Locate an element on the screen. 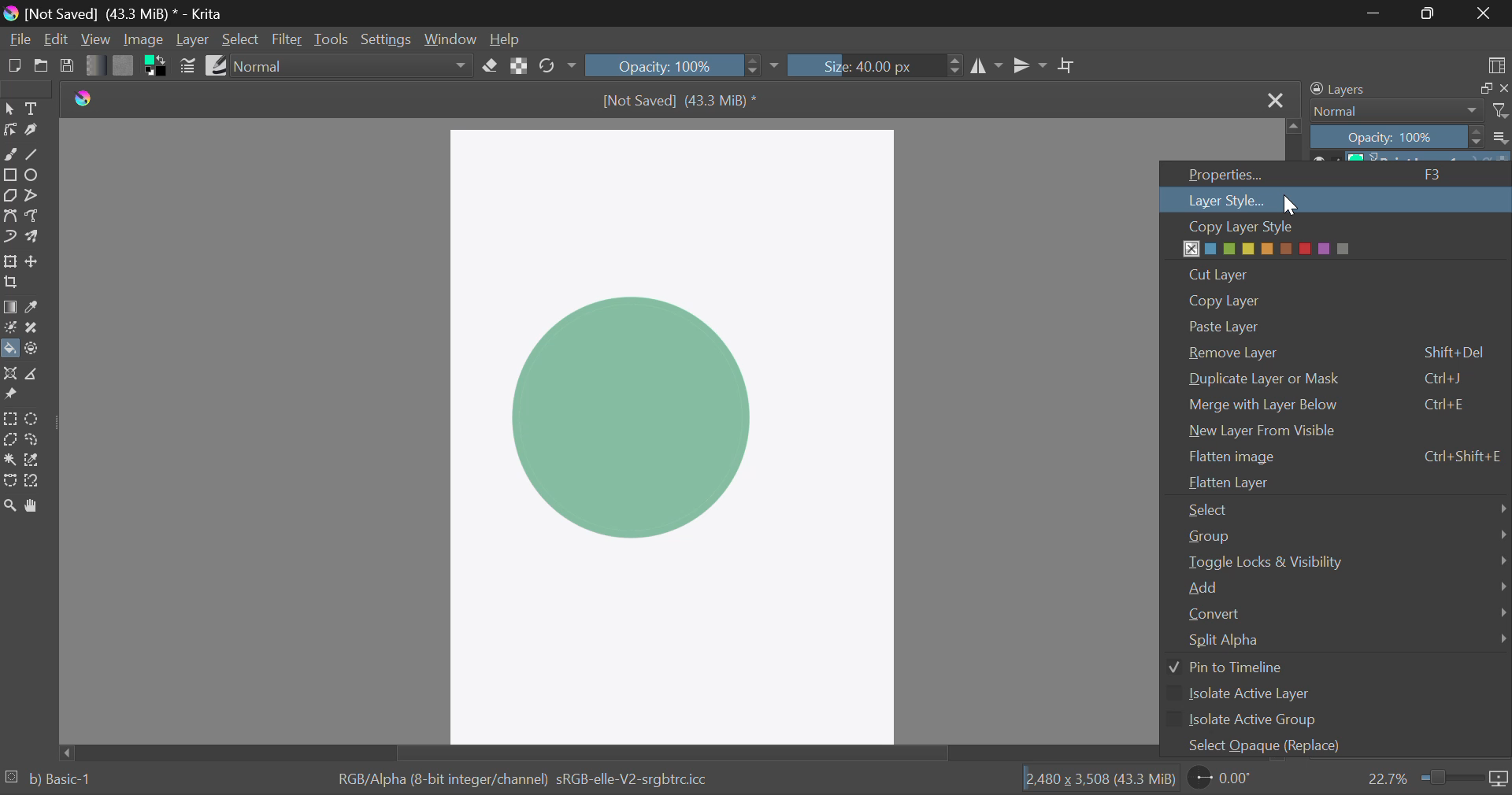 The image size is (1512, 795). b) Basic-1 is located at coordinates (63, 778).